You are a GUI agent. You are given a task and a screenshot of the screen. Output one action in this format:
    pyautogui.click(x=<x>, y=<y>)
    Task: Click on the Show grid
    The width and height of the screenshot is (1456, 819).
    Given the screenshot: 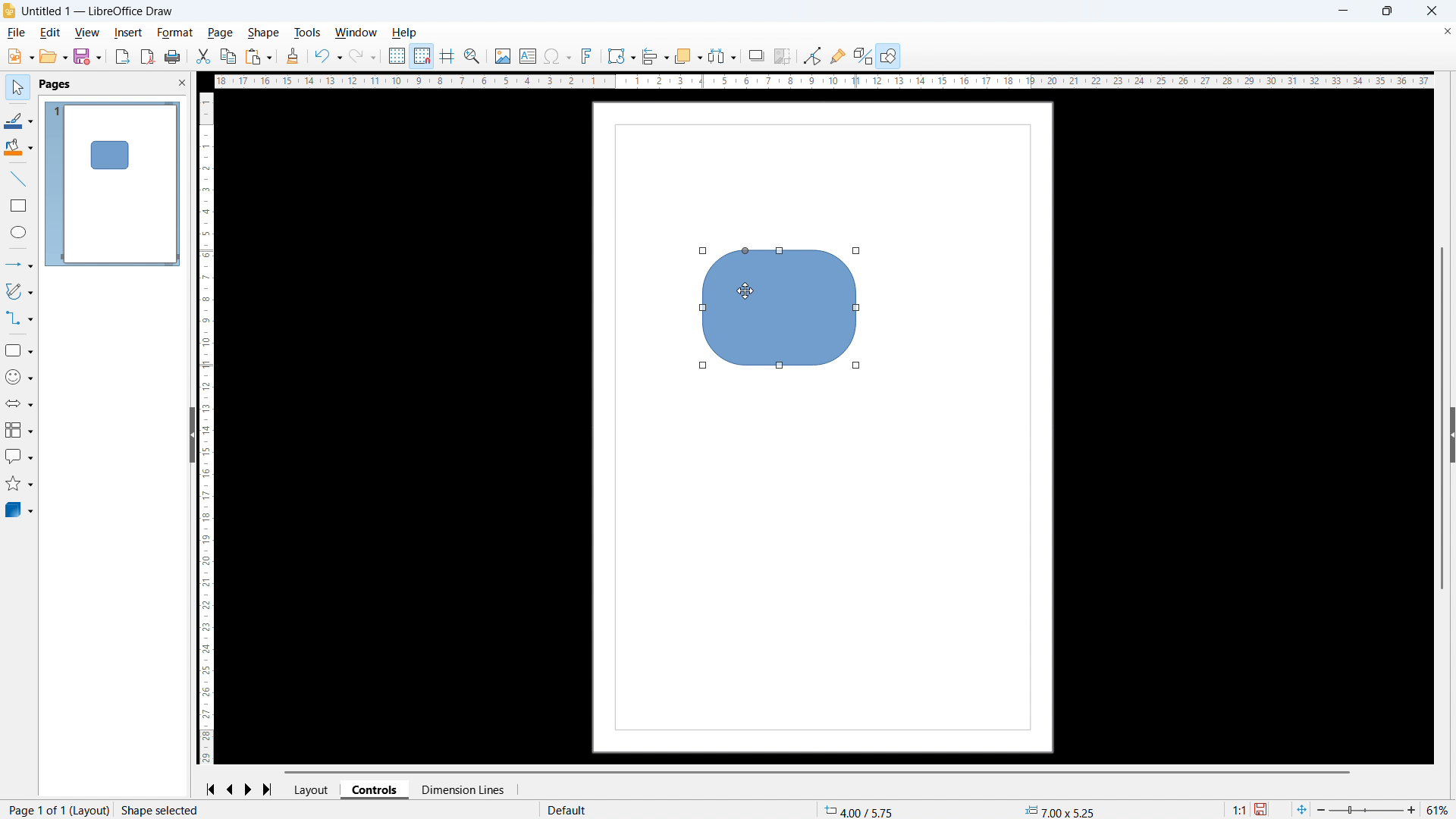 What is the action you would take?
    pyautogui.click(x=397, y=57)
    